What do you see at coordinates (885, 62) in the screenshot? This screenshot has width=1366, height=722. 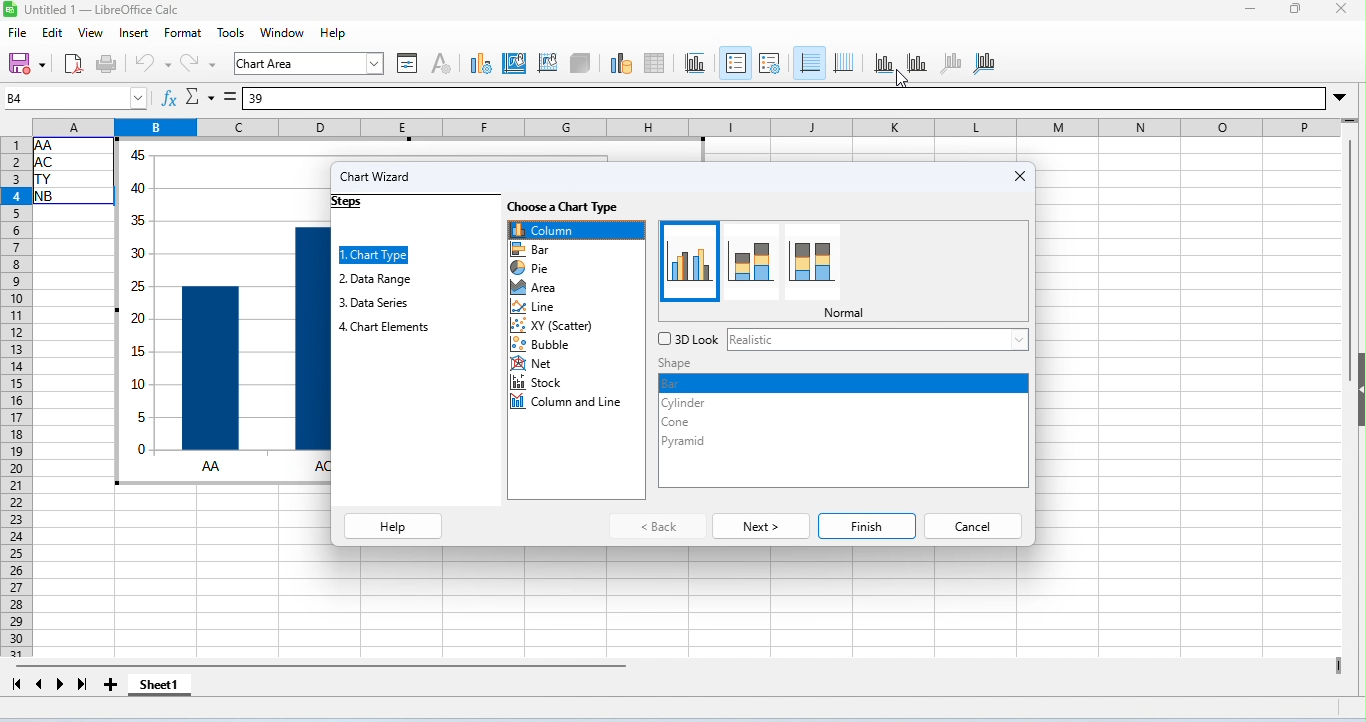 I see `x axis` at bounding box center [885, 62].